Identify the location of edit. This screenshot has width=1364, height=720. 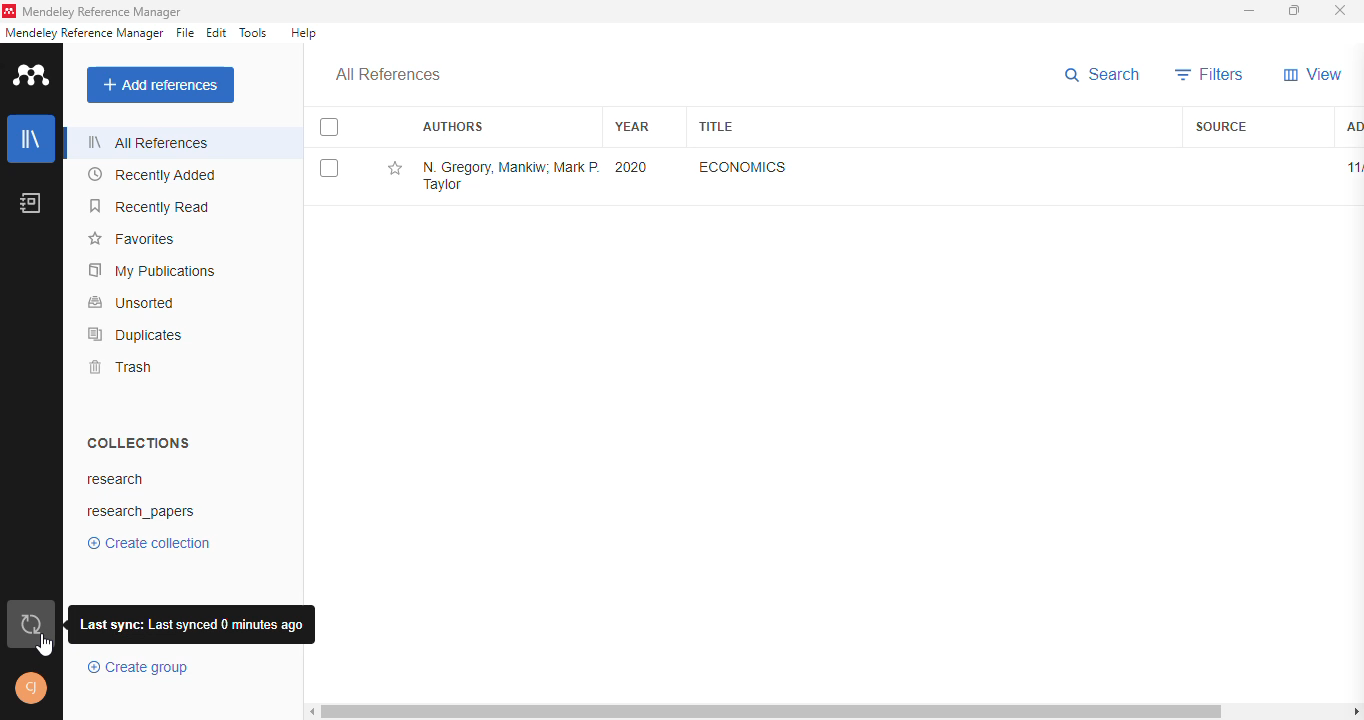
(217, 33).